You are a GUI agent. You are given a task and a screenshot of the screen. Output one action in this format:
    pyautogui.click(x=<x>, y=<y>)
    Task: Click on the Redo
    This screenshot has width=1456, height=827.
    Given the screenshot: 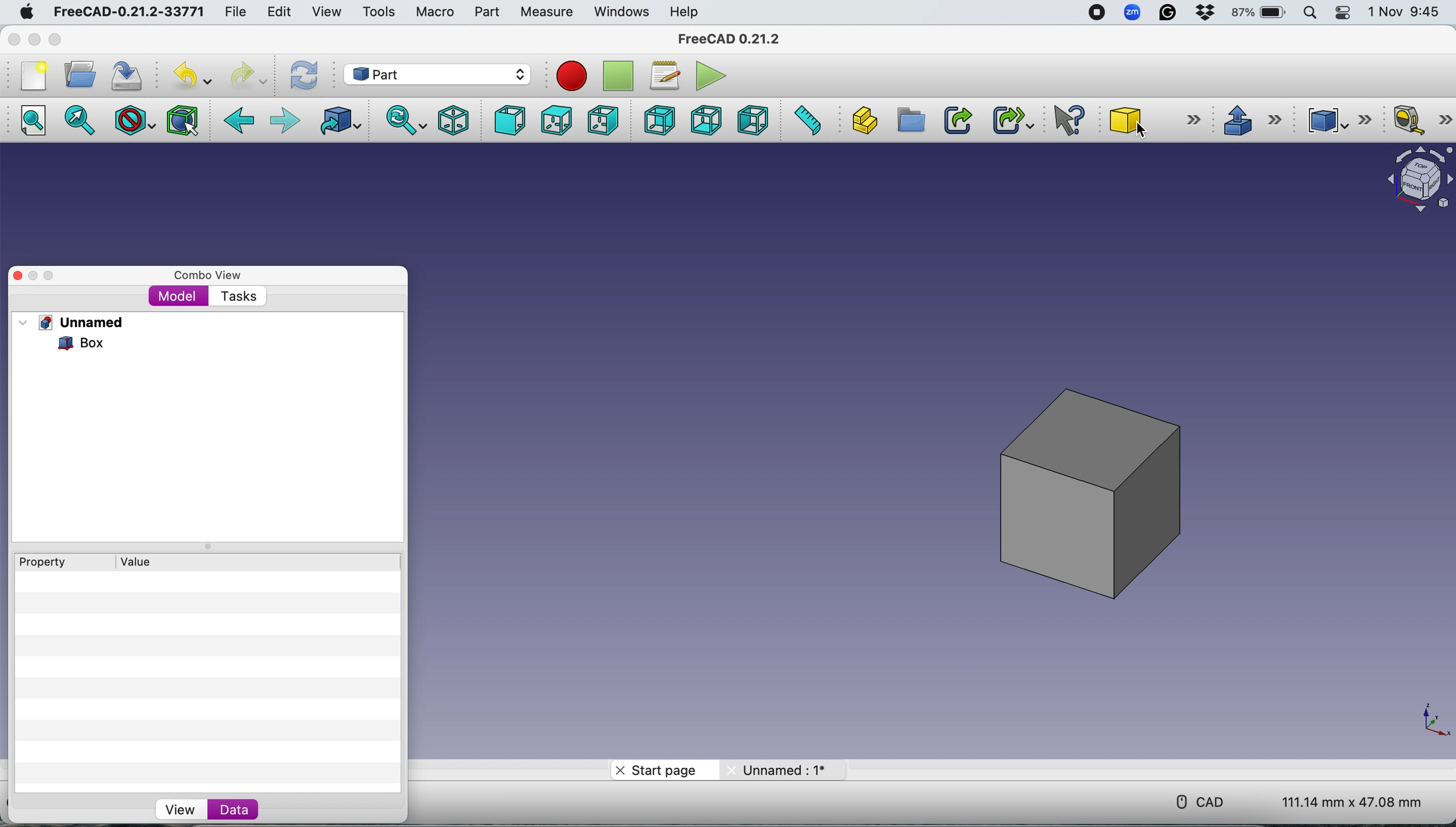 What is the action you would take?
    pyautogui.click(x=247, y=76)
    